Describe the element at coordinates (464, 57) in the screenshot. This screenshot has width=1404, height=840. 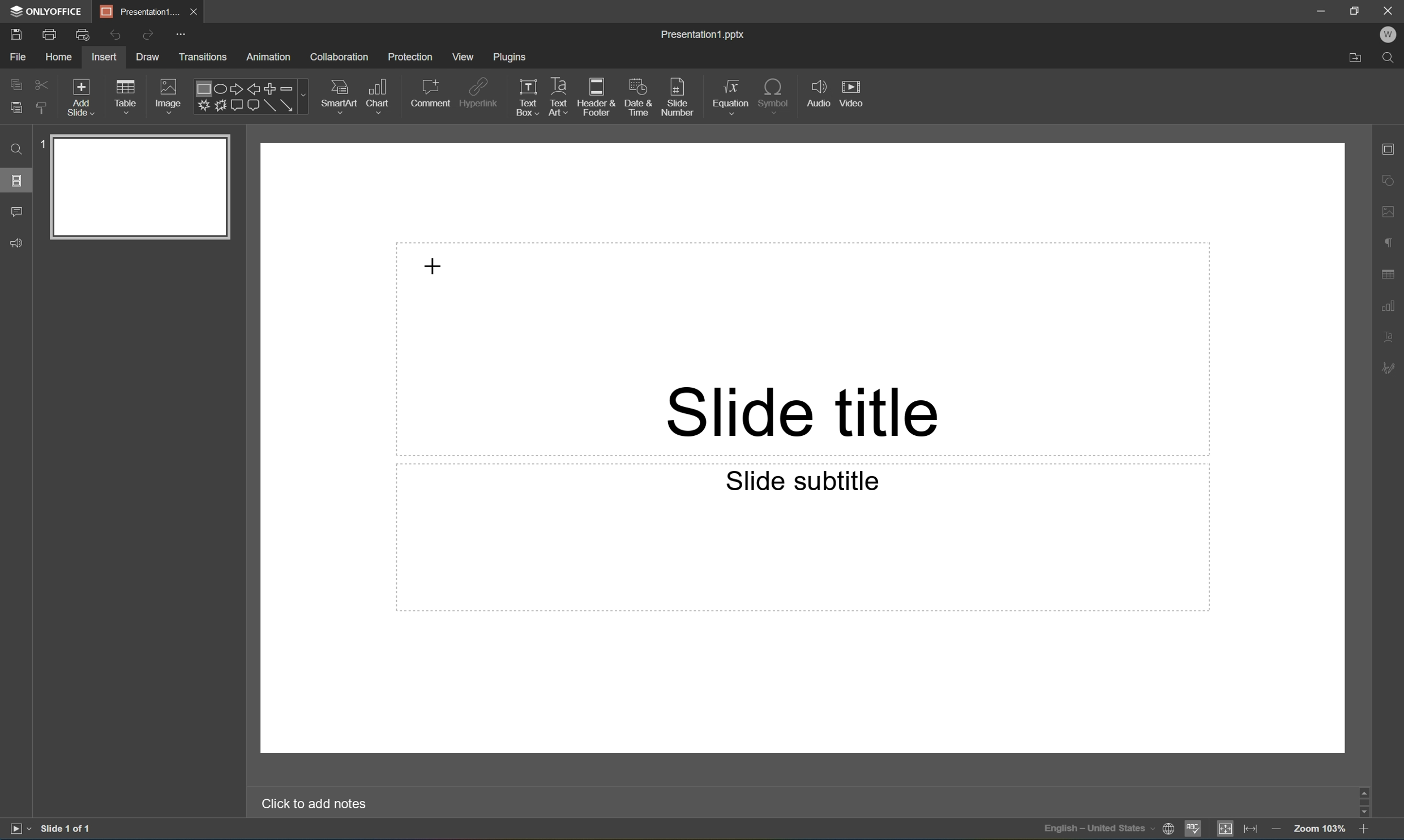
I see `View` at that location.